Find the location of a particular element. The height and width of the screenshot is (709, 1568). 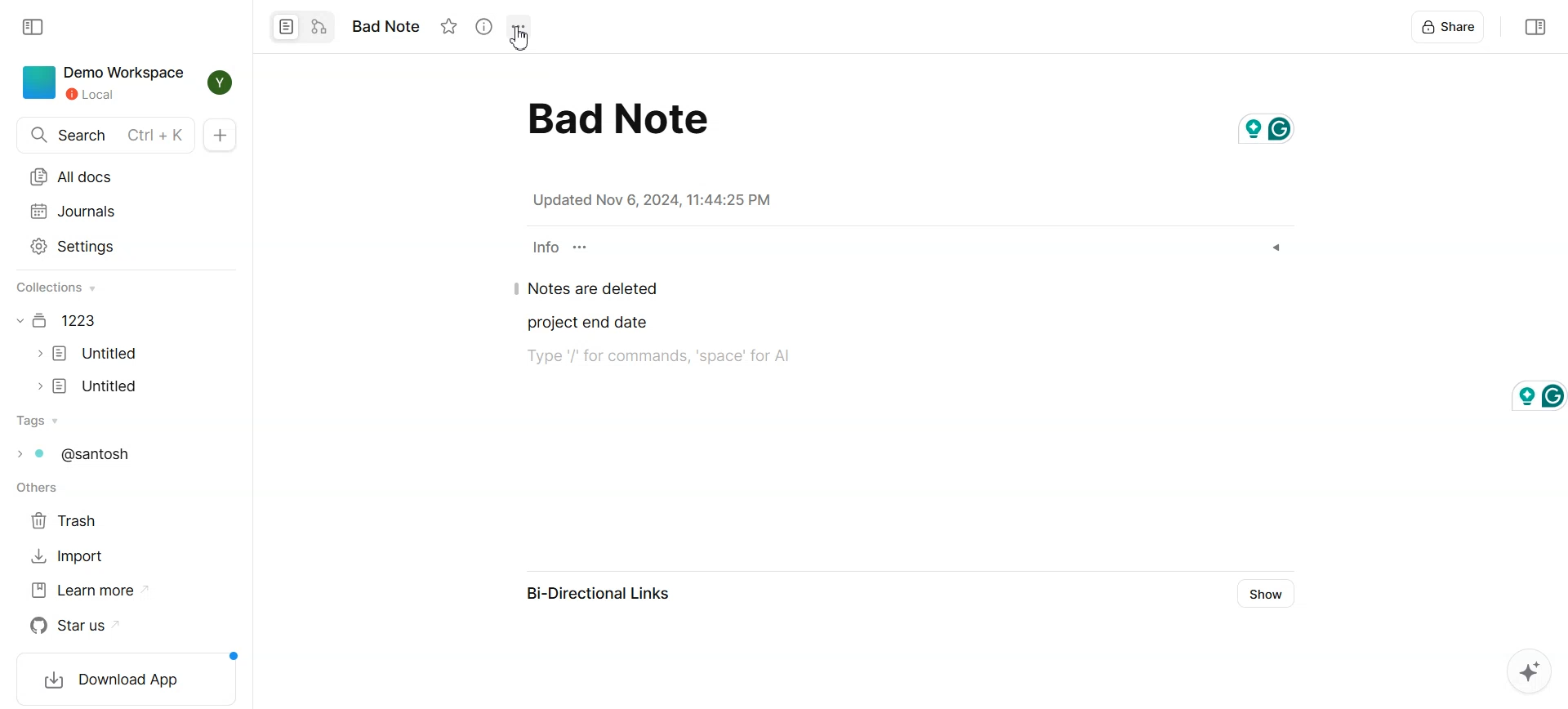

Tags  is located at coordinates (73, 453).